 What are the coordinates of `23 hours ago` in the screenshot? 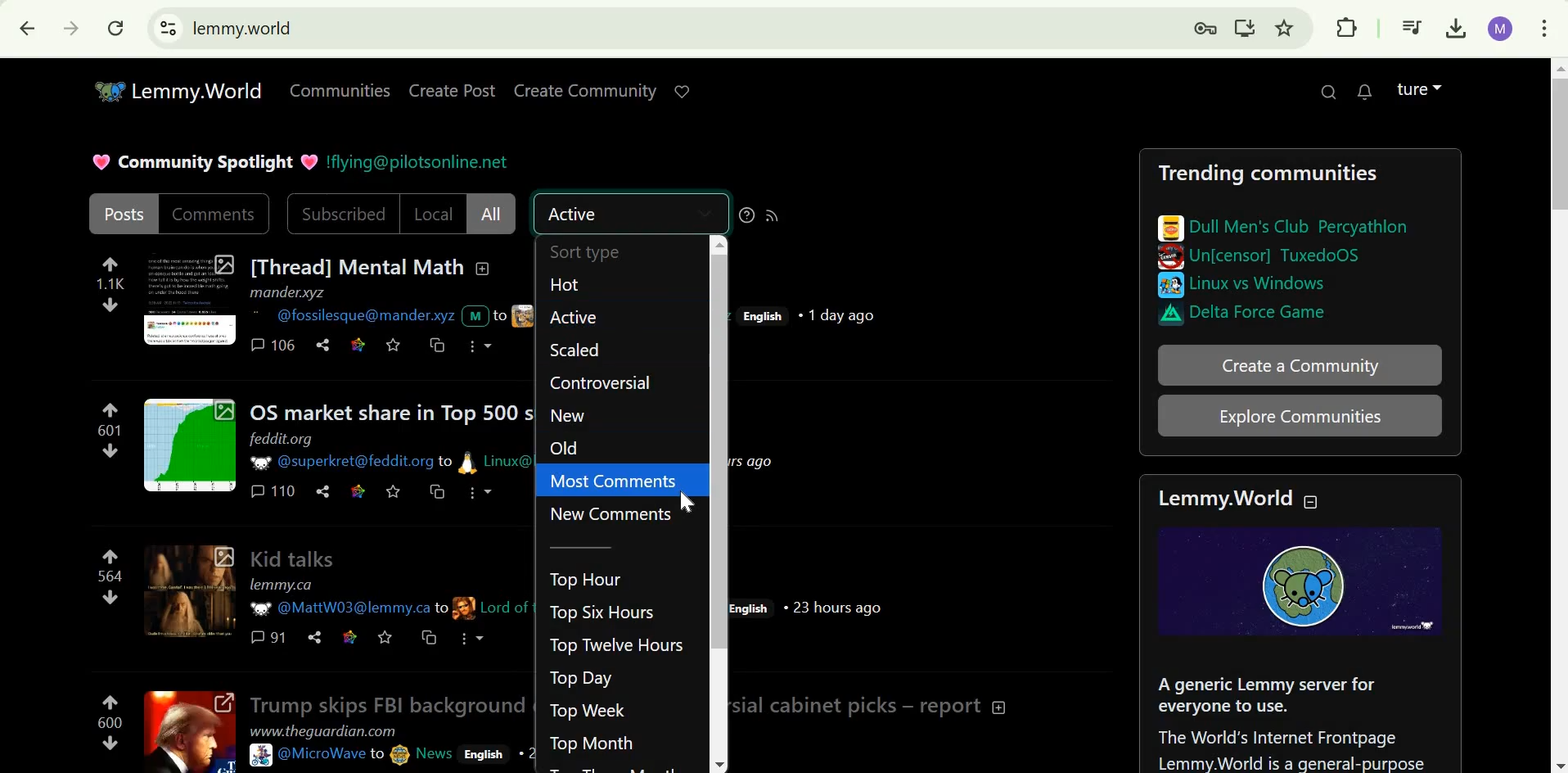 It's located at (833, 607).